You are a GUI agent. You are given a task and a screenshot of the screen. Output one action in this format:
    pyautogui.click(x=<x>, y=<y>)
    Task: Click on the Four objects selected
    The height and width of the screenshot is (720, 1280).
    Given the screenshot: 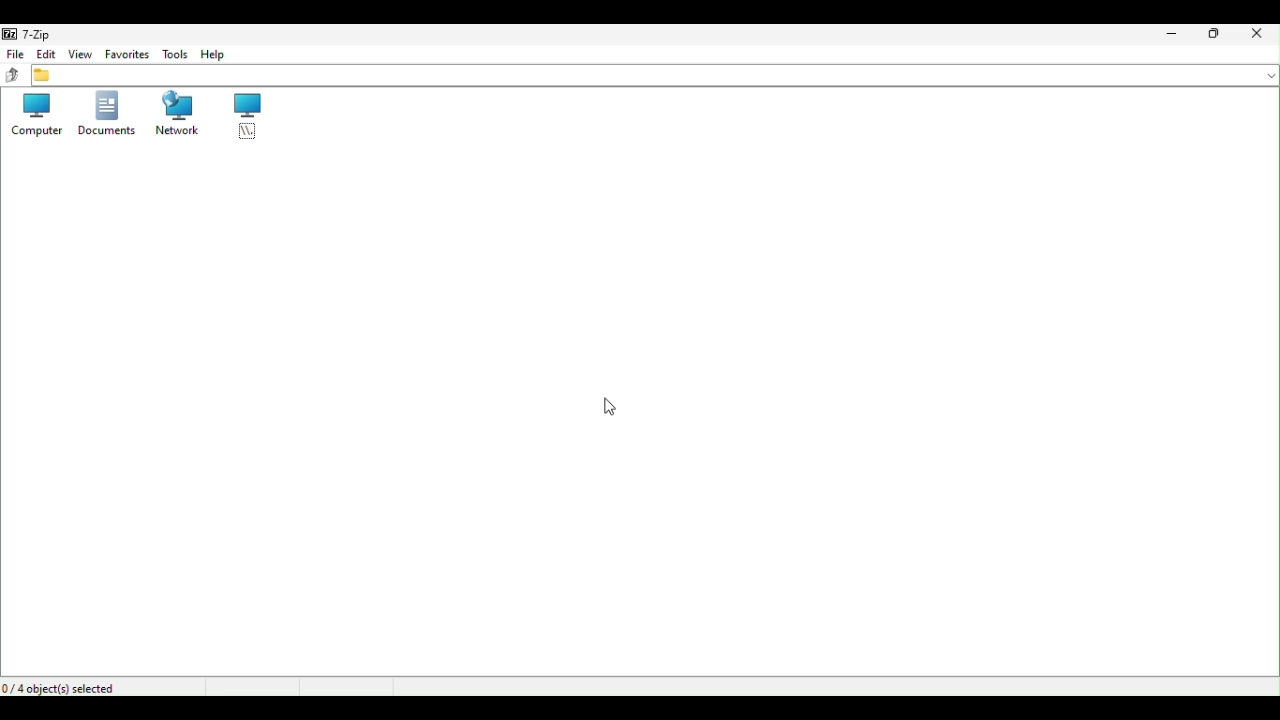 What is the action you would take?
    pyautogui.click(x=64, y=687)
    